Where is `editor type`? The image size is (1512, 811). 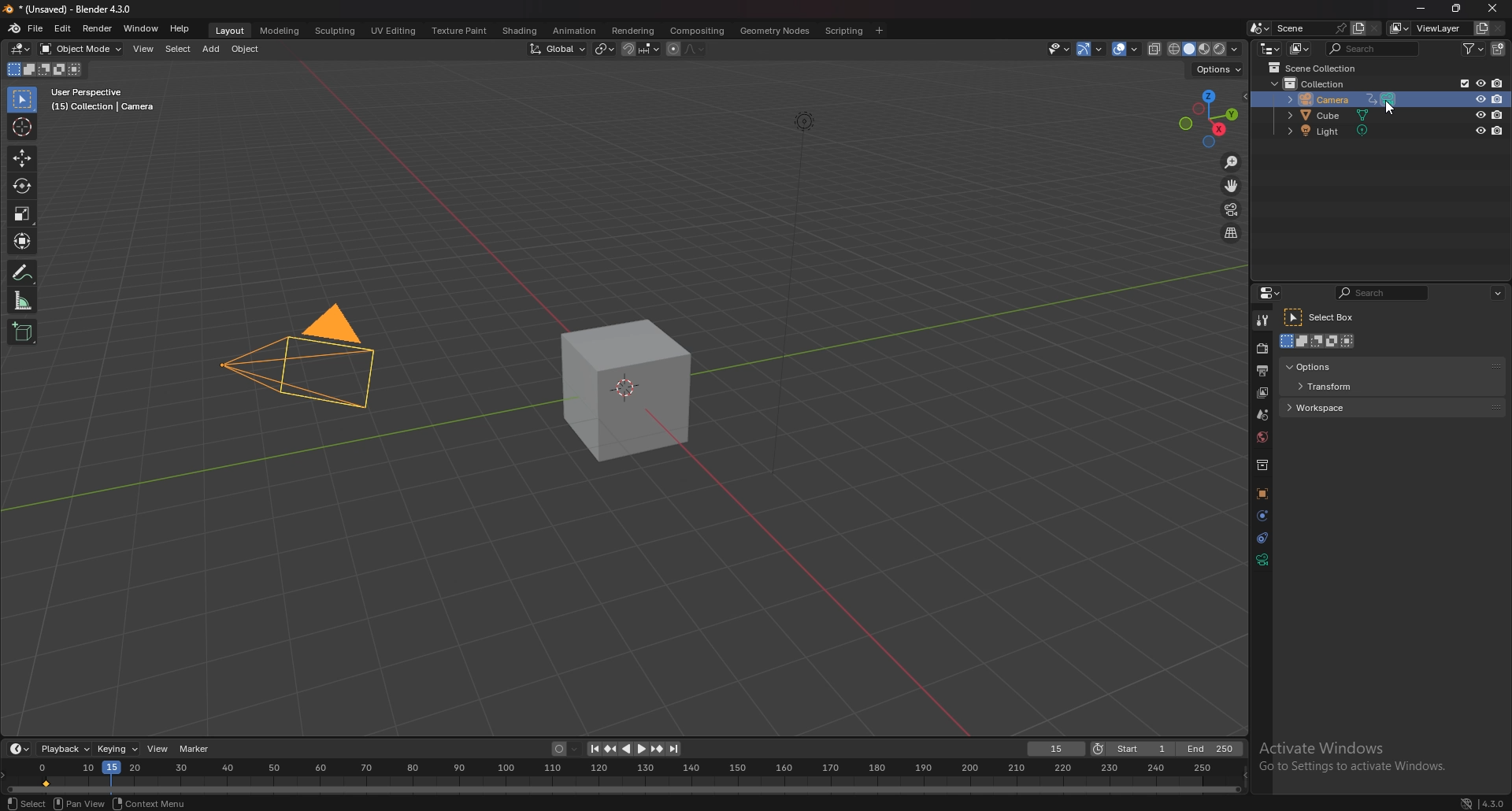
editor type is located at coordinates (20, 49).